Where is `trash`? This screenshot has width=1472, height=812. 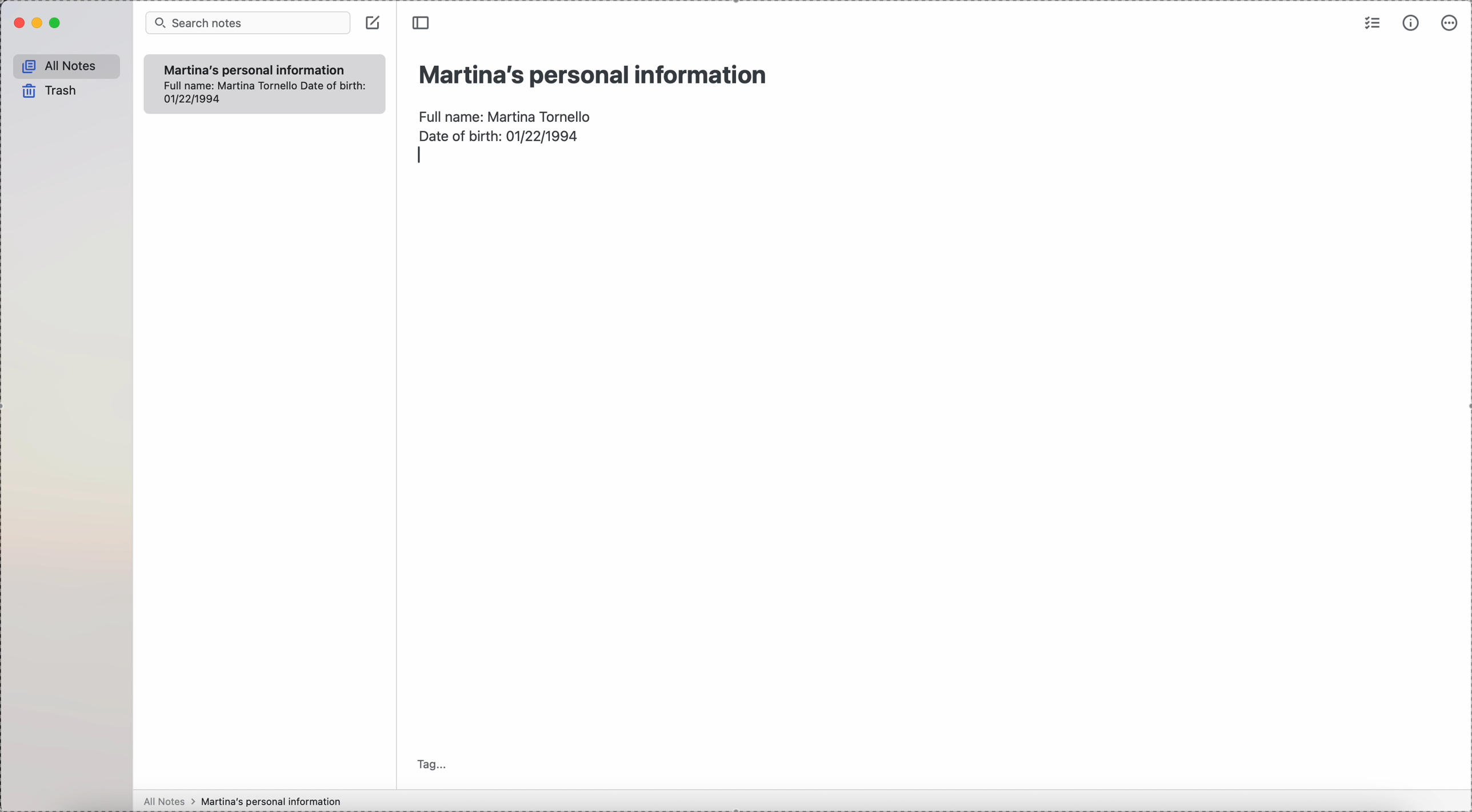 trash is located at coordinates (47, 90).